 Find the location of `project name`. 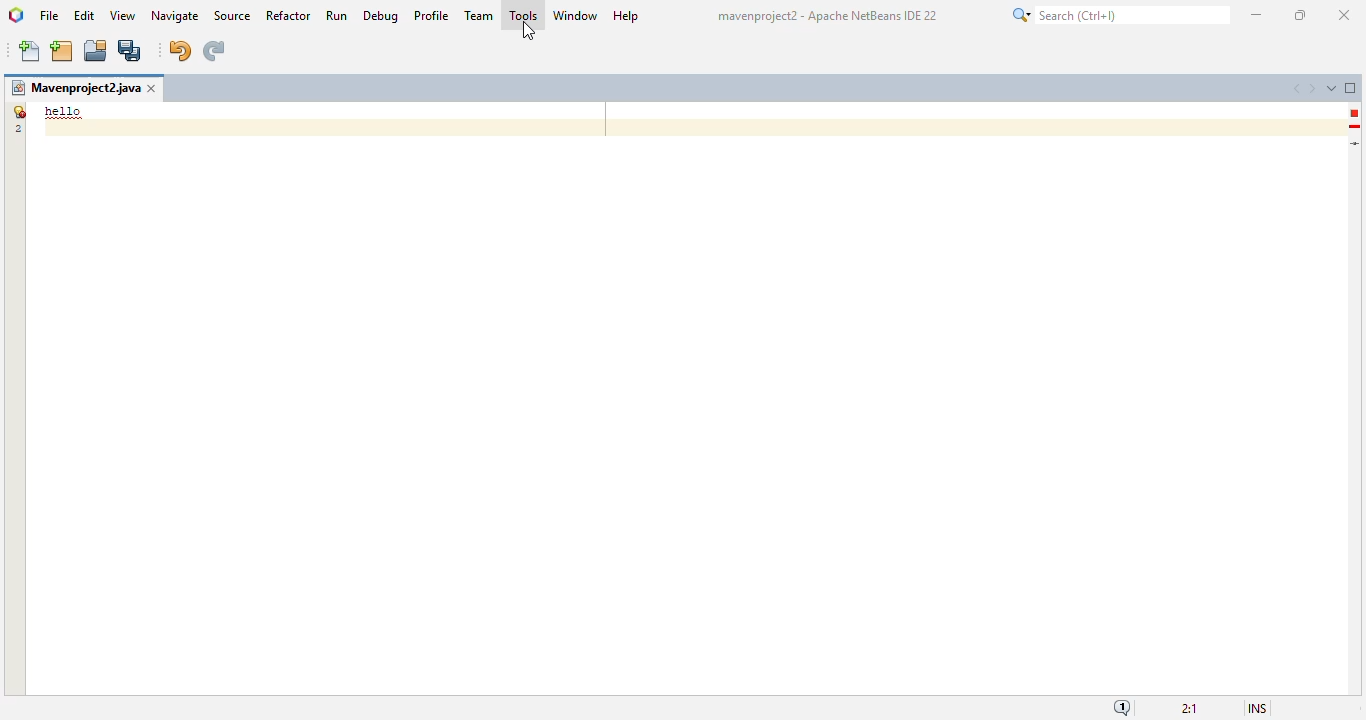

project name is located at coordinates (75, 88).